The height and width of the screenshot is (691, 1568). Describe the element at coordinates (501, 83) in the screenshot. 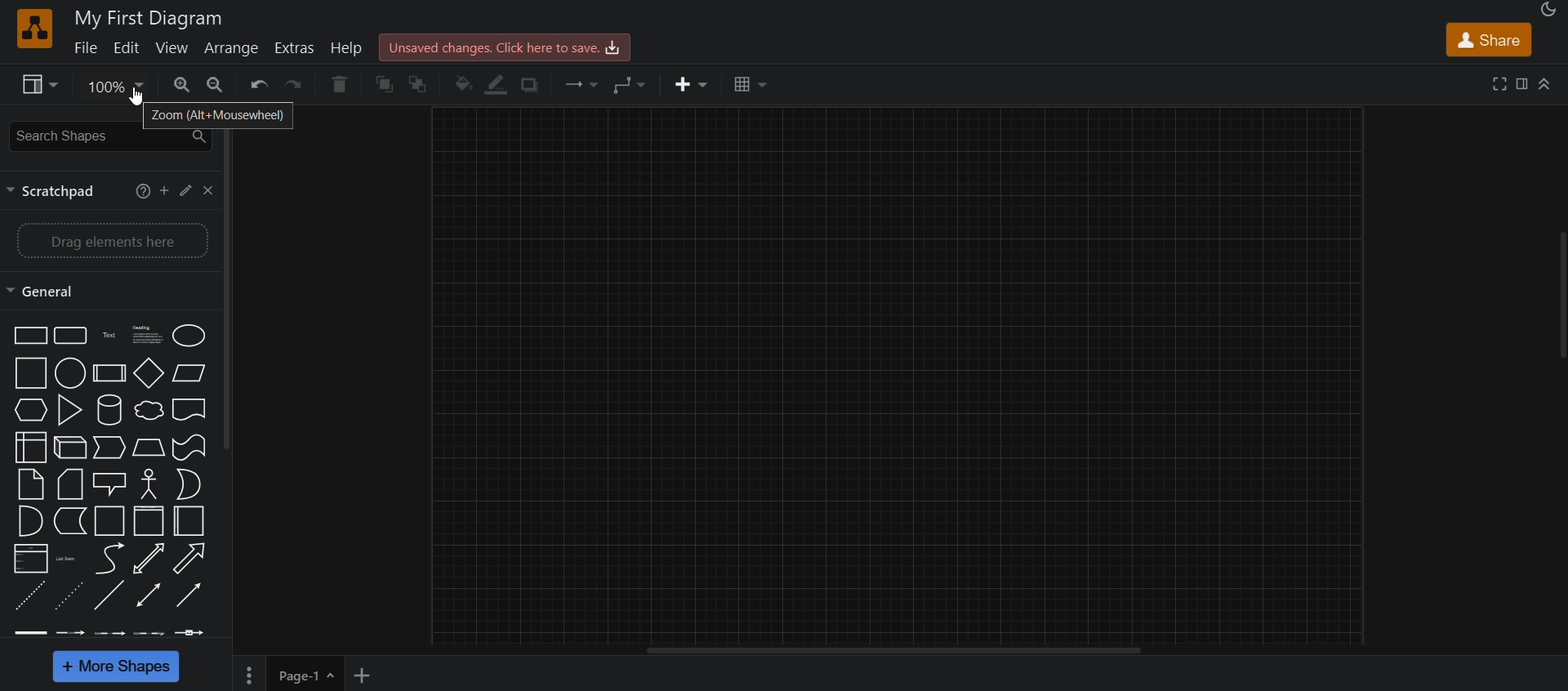

I see `line color` at that location.